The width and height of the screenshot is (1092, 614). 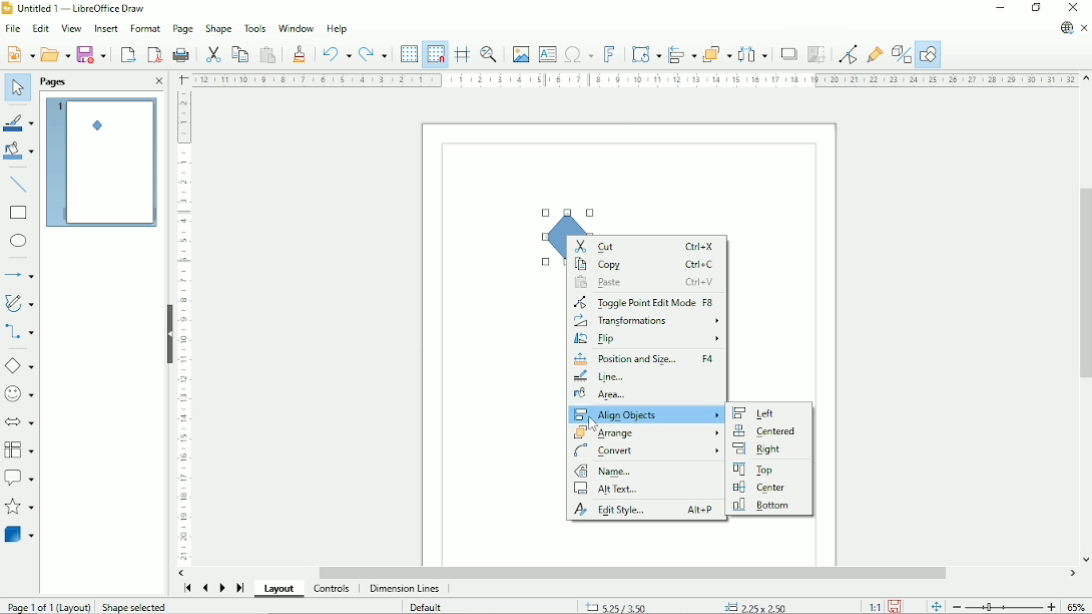 What do you see at coordinates (19, 537) in the screenshot?
I see `3D objects` at bounding box center [19, 537].